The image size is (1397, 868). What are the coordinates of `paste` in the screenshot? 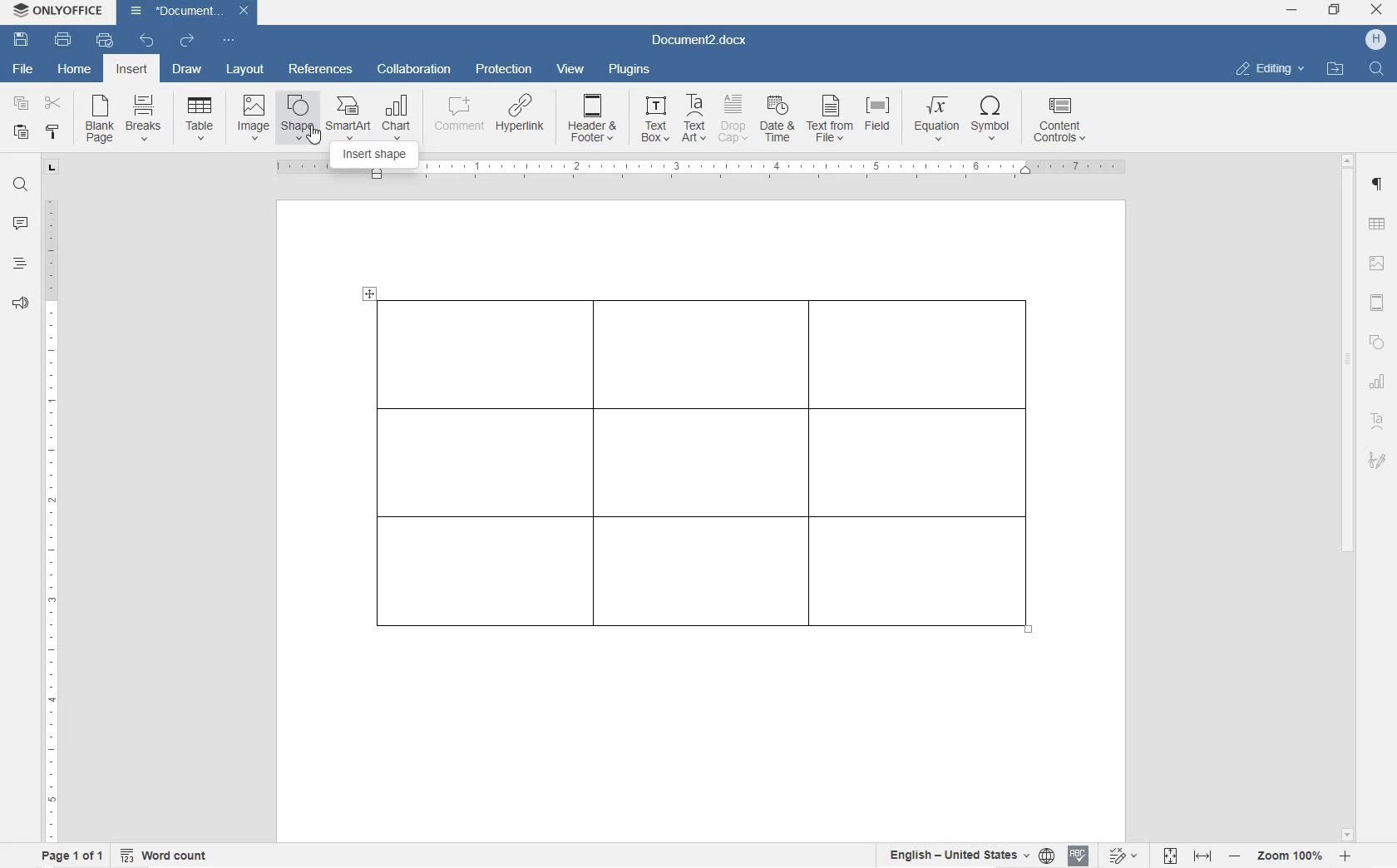 It's located at (22, 132).